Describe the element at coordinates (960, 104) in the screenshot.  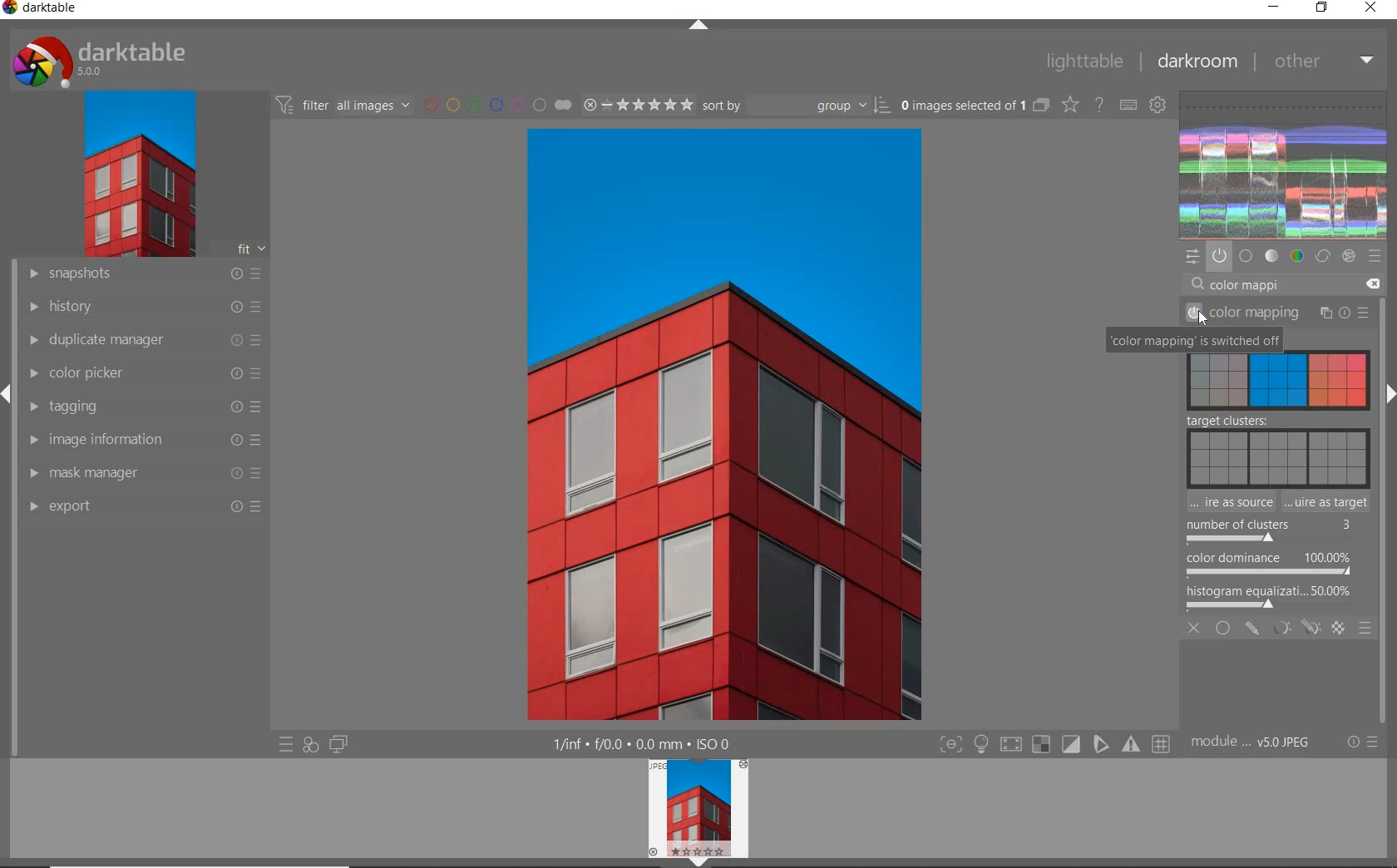
I see `selected images` at that location.